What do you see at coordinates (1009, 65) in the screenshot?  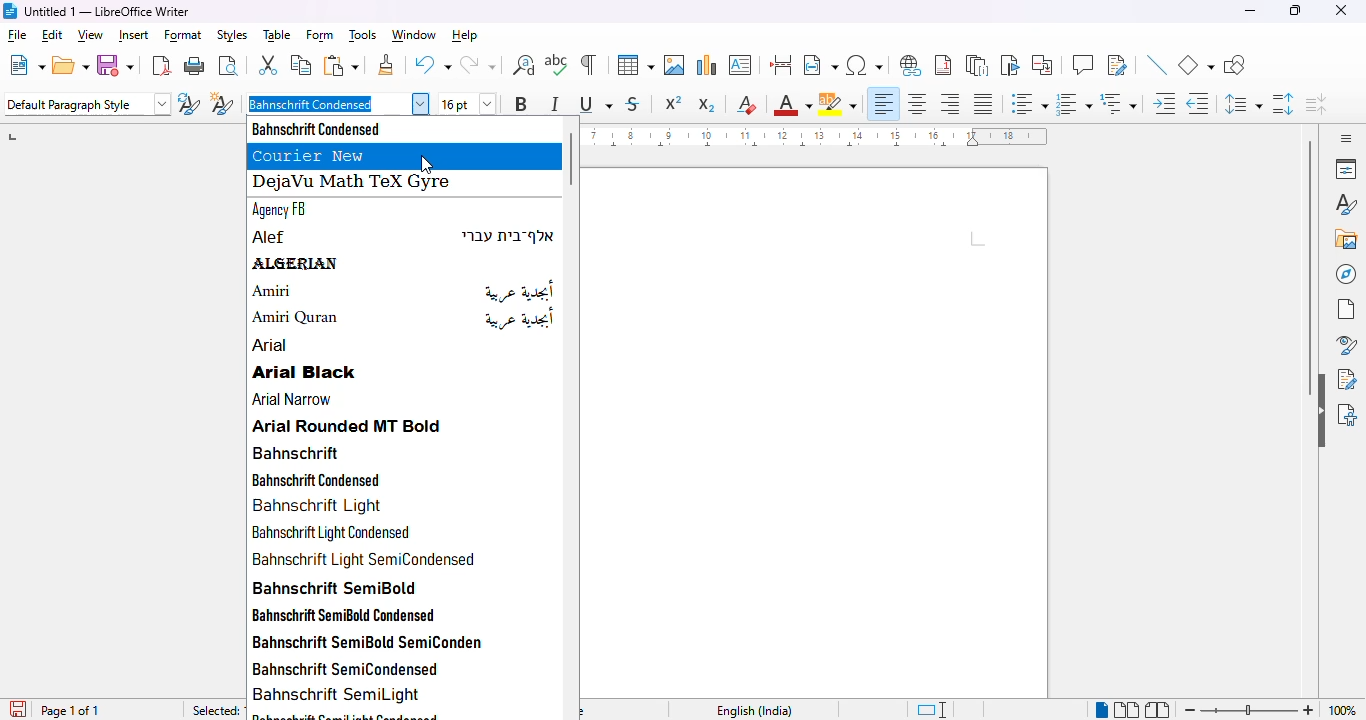 I see `insert bookmark` at bounding box center [1009, 65].